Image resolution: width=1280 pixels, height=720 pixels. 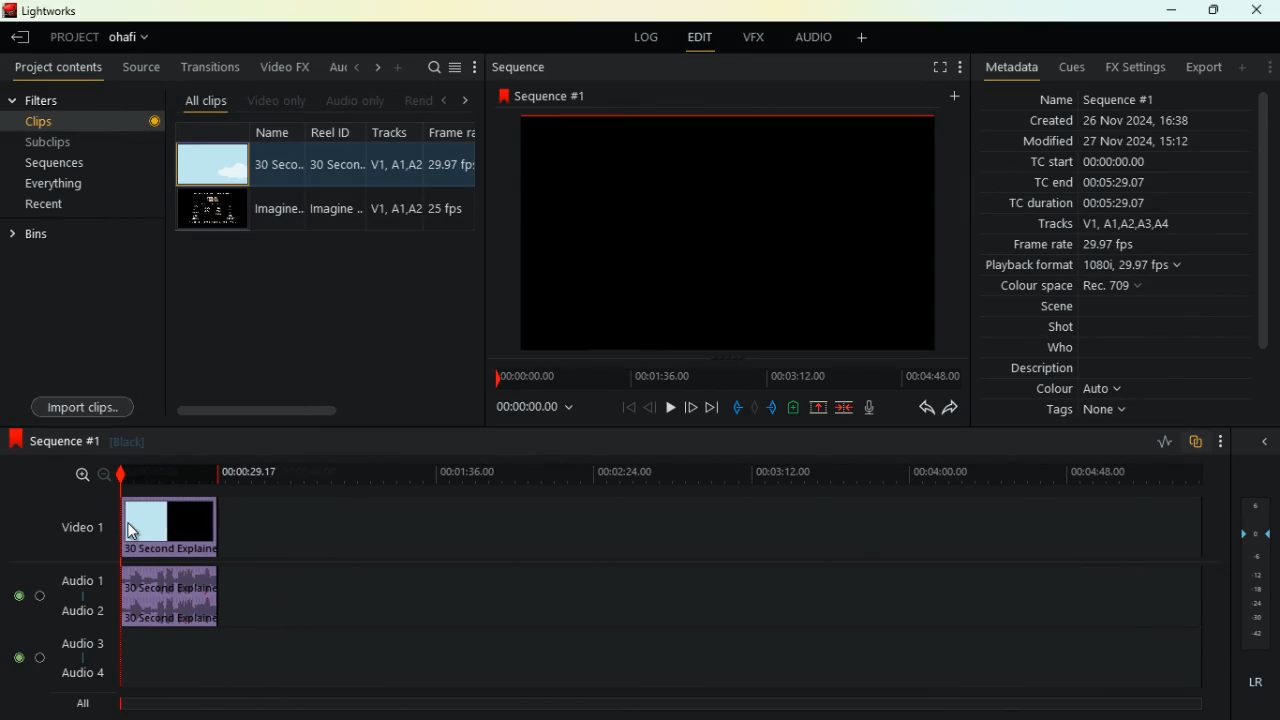 I want to click on tracks, so click(x=395, y=179).